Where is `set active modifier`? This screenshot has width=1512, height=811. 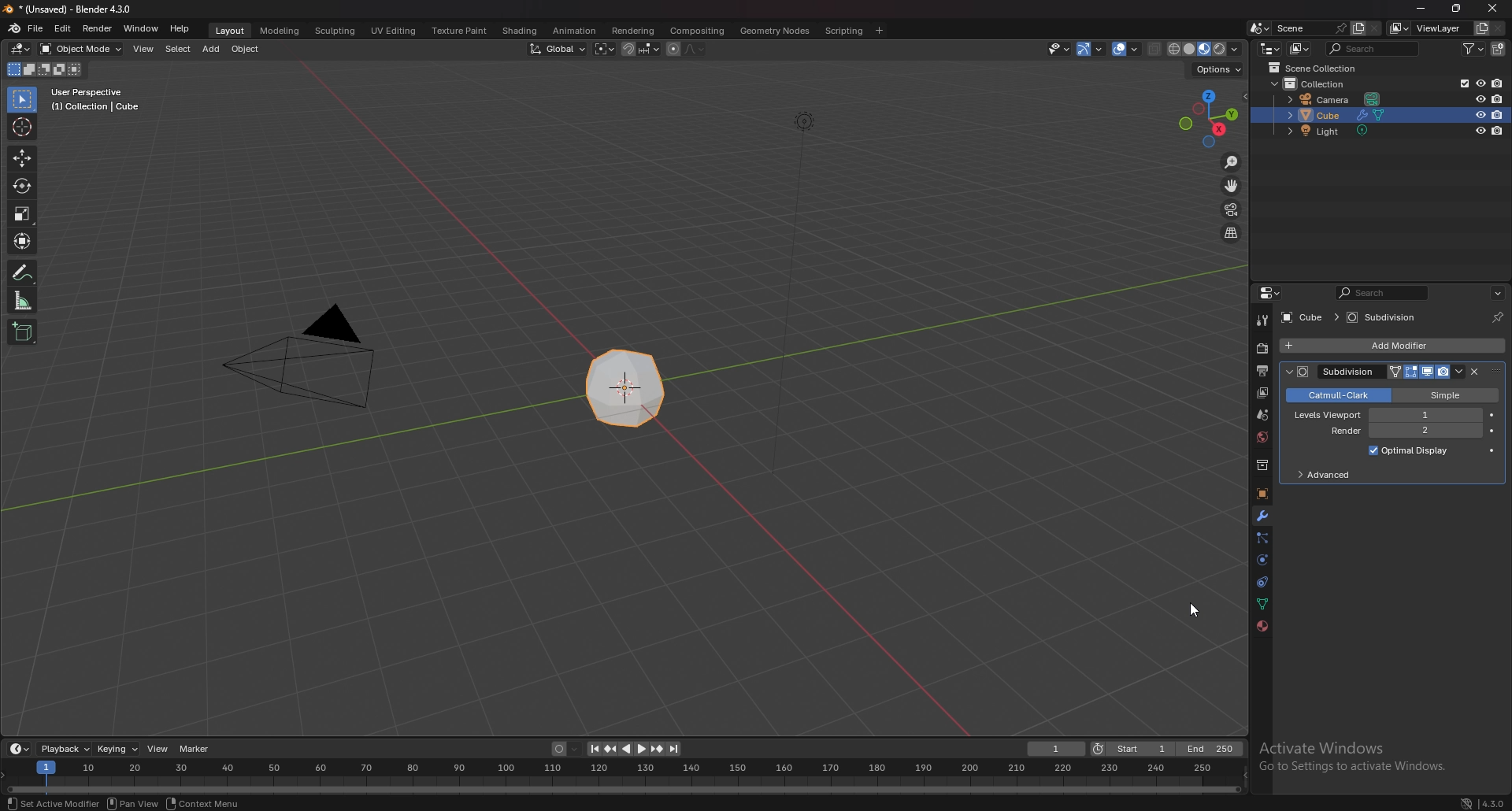
set active modifier is located at coordinates (53, 803).